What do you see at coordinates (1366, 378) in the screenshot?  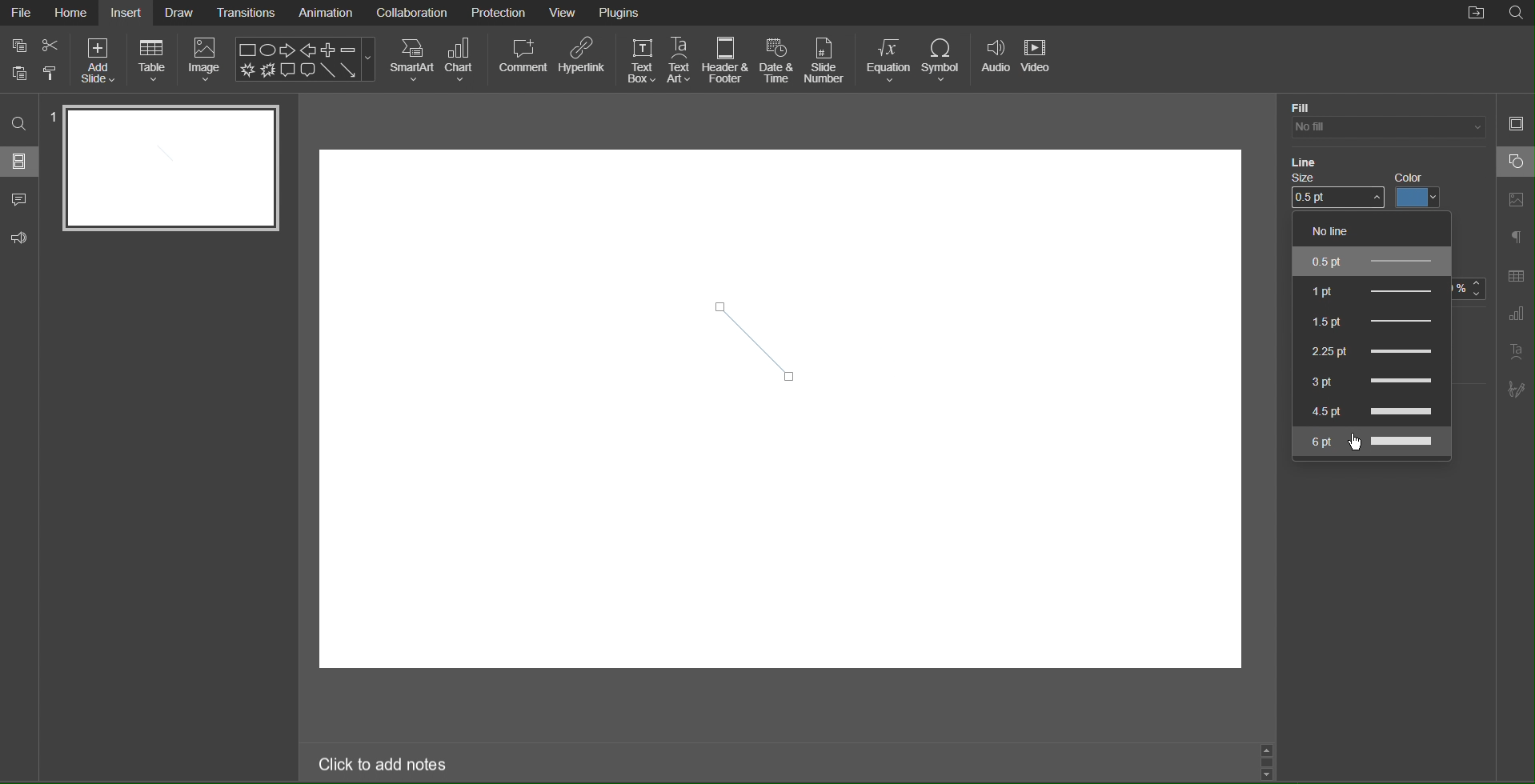 I see `3 pt` at bounding box center [1366, 378].